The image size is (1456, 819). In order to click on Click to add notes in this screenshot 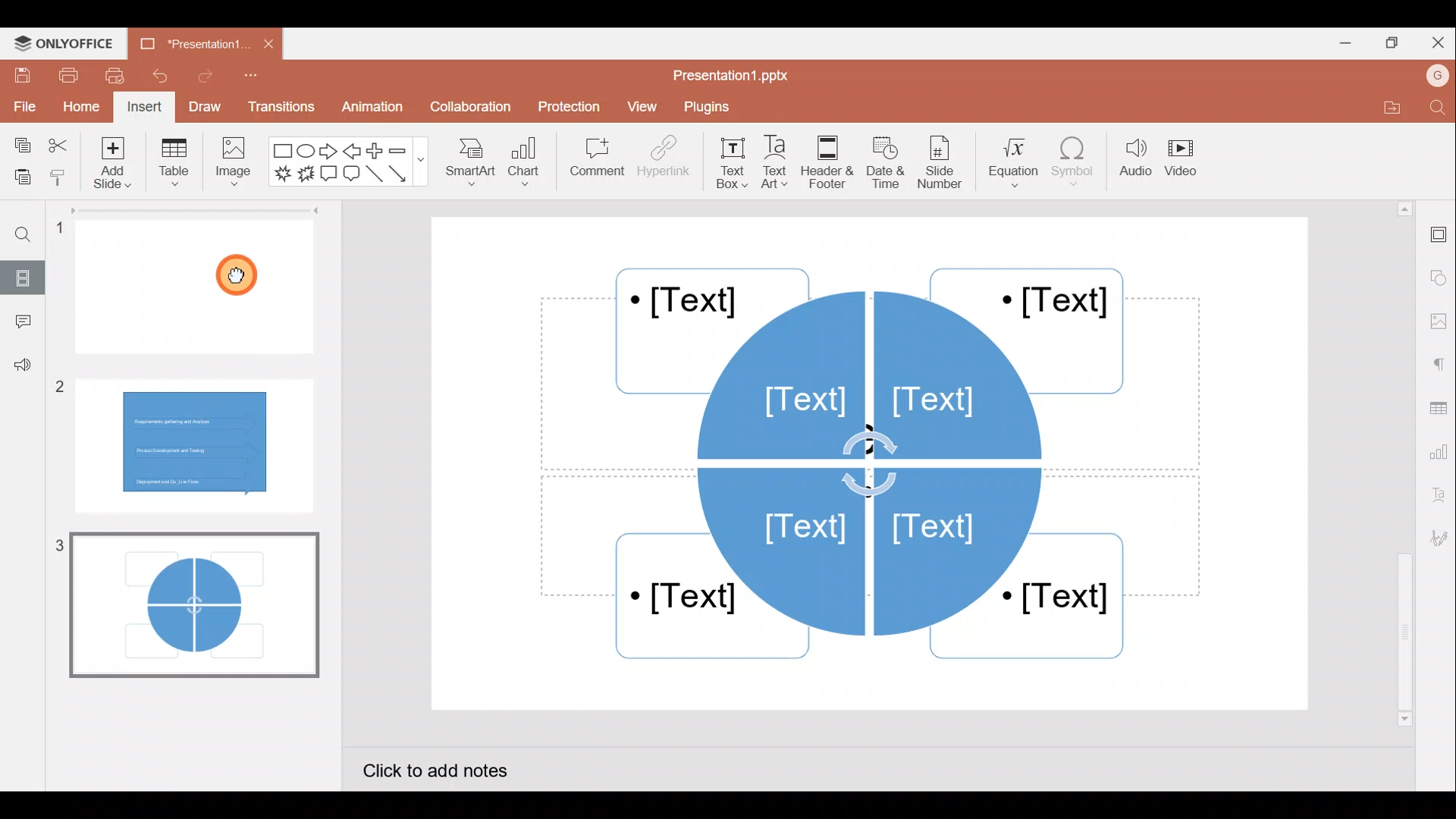, I will do `click(450, 767)`.